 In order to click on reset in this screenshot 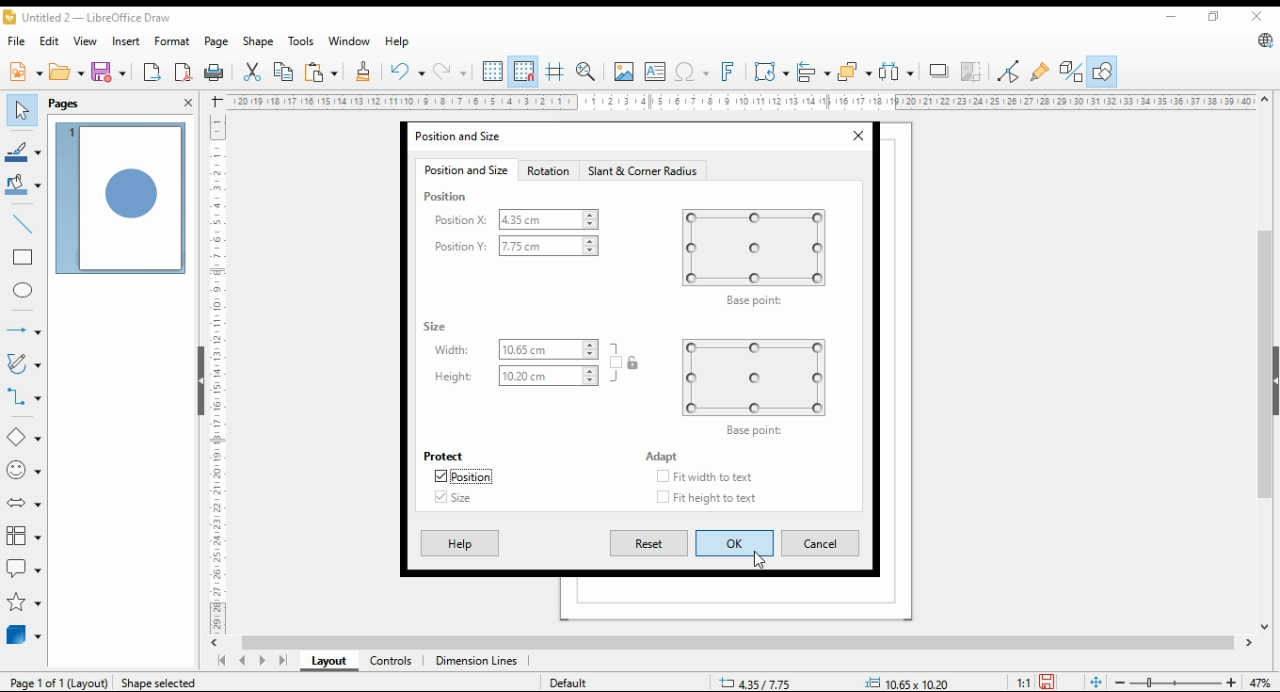, I will do `click(652, 542)`.